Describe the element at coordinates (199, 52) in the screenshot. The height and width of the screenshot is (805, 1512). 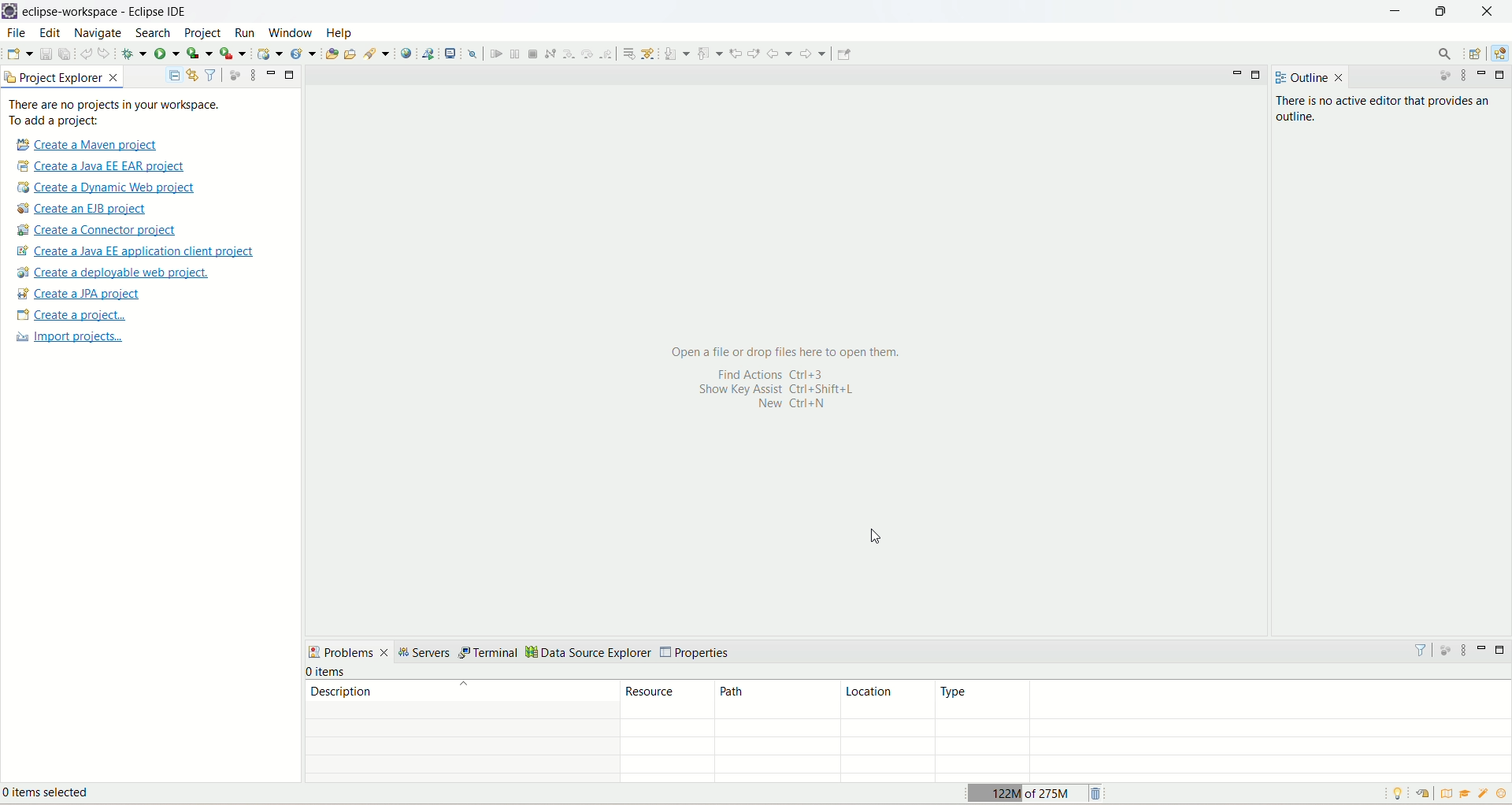
I see `coverage` at that location.